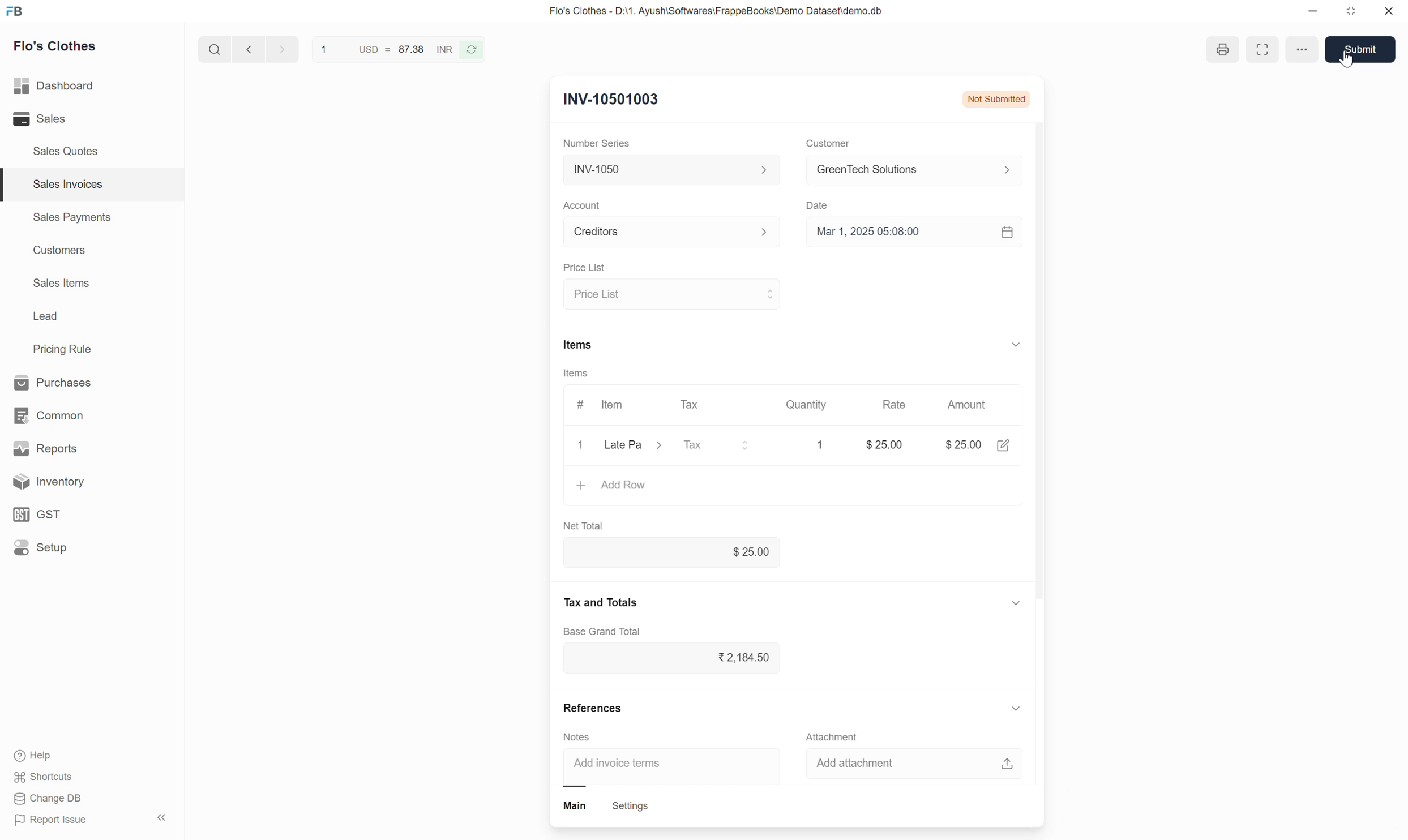 The height and width of the screenshot is (840, 1408). Describe the element at coordinates (279, 52) in the screenshot. I see `go forward ` at that location.